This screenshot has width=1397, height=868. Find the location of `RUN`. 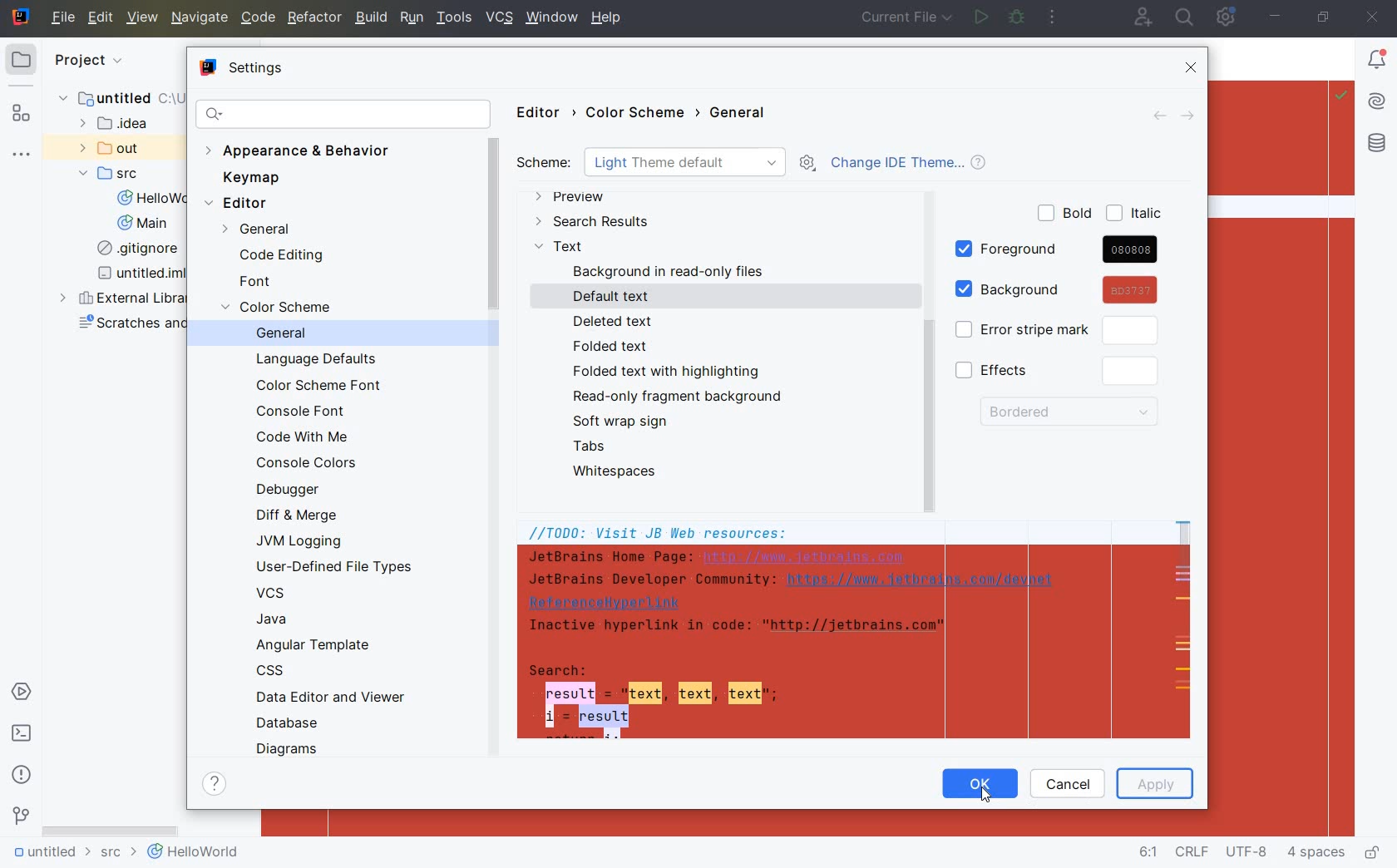

RUN is located at coordinates (412, 18).